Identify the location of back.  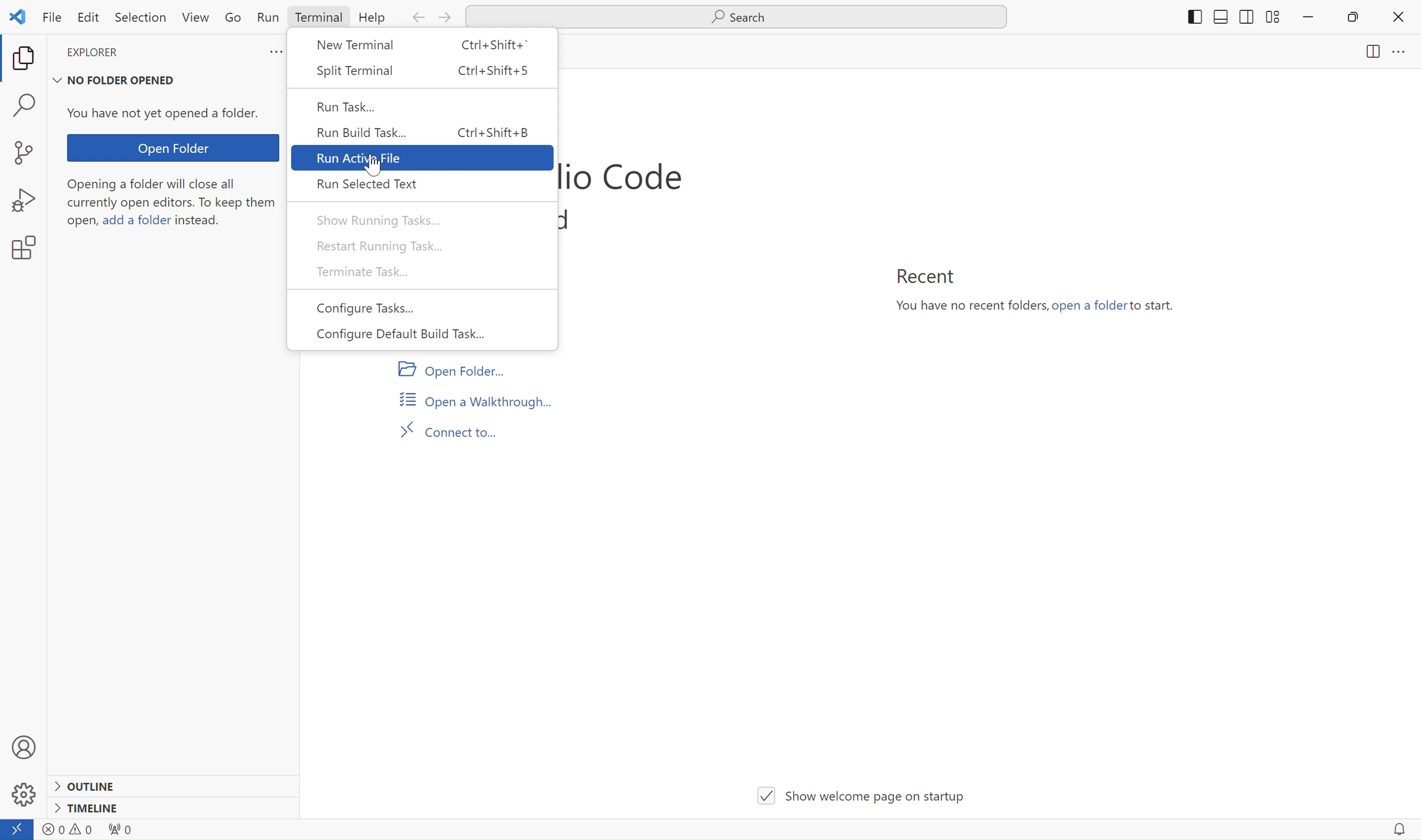
(415, 18).